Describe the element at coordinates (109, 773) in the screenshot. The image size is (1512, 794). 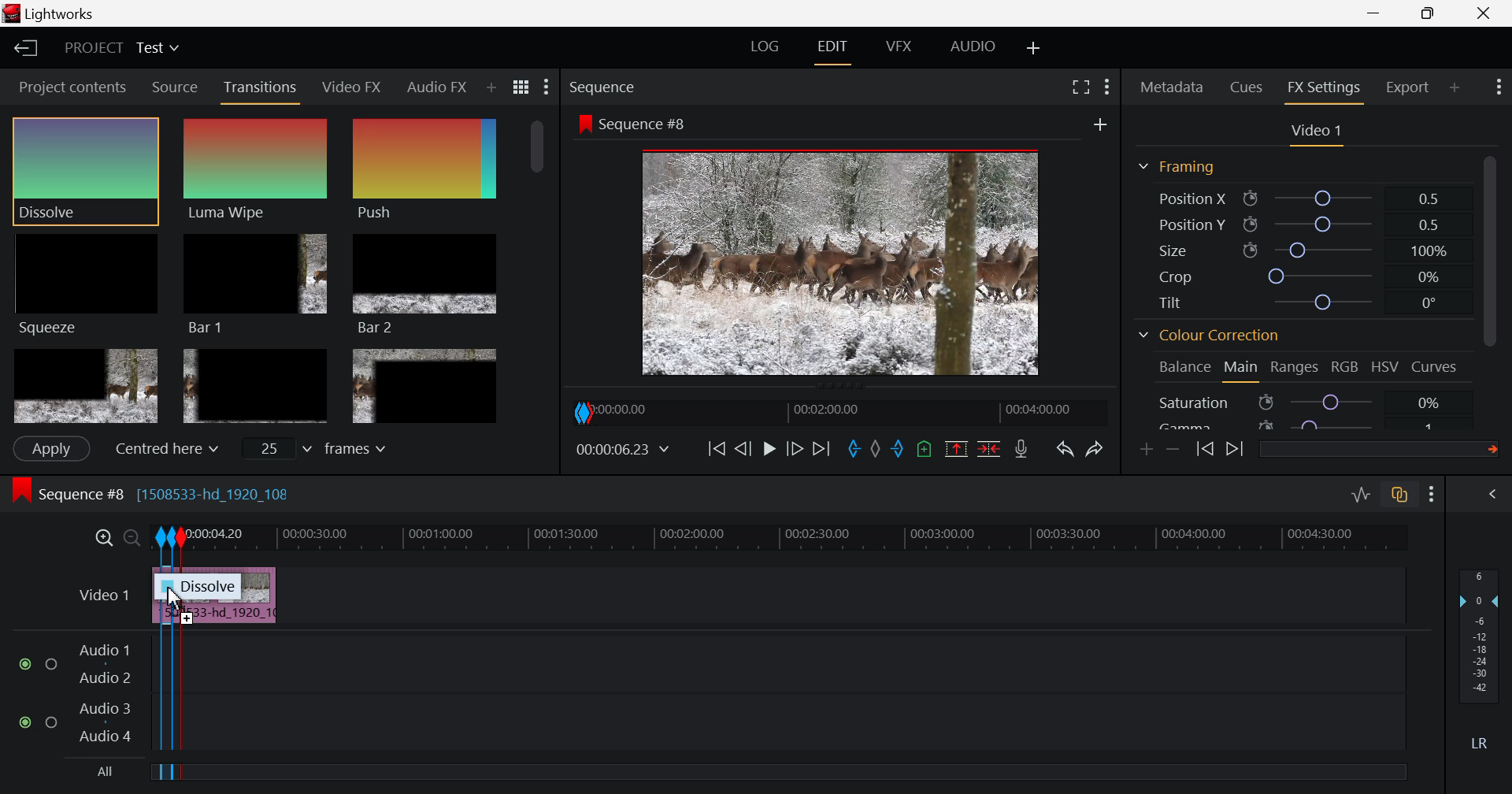
I see `All` at that location.